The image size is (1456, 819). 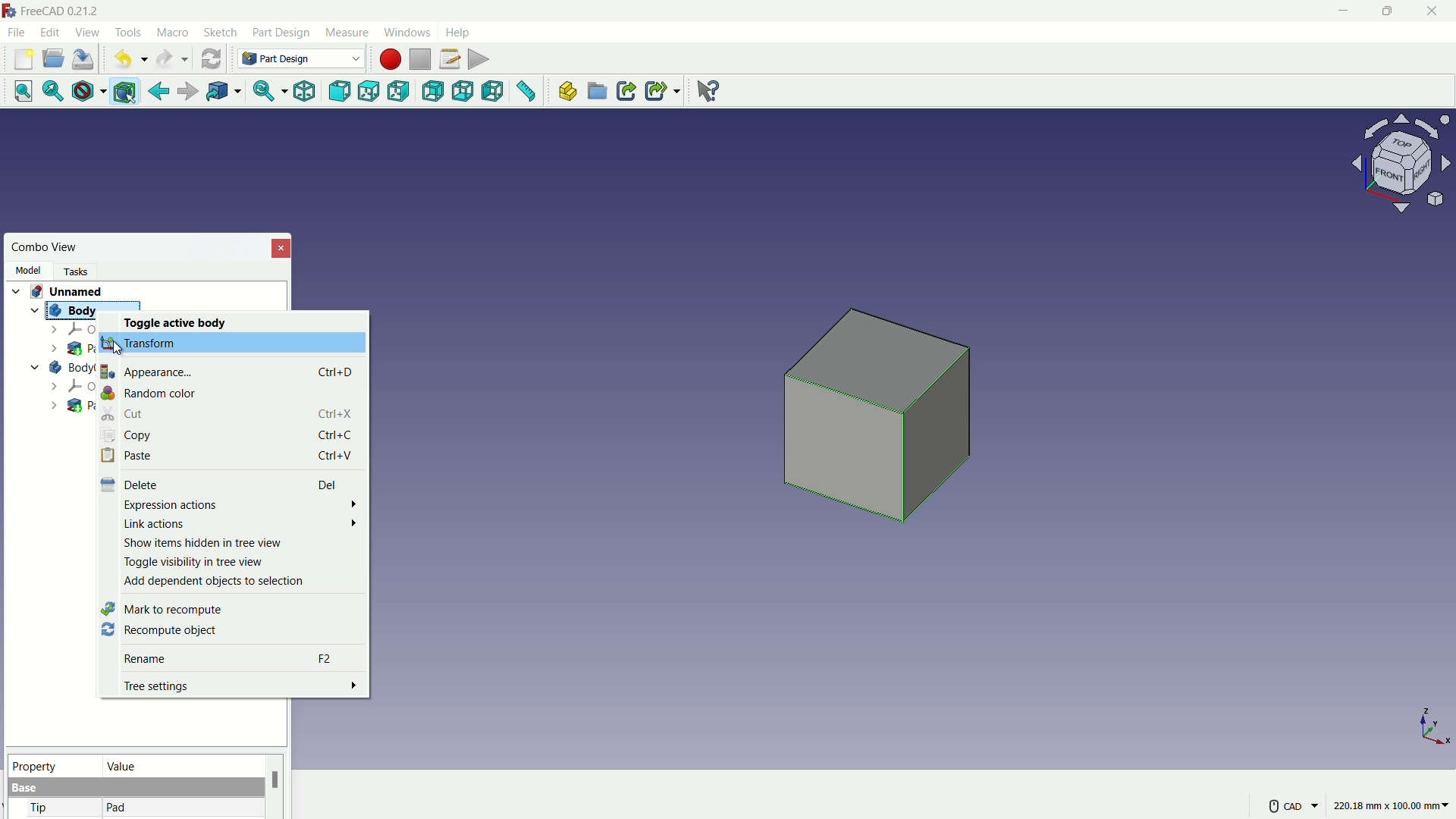 What do you see at coordinates (164, 609) in the screenshot?
I see `Mark to recompute` at bounding box center [164, 609].